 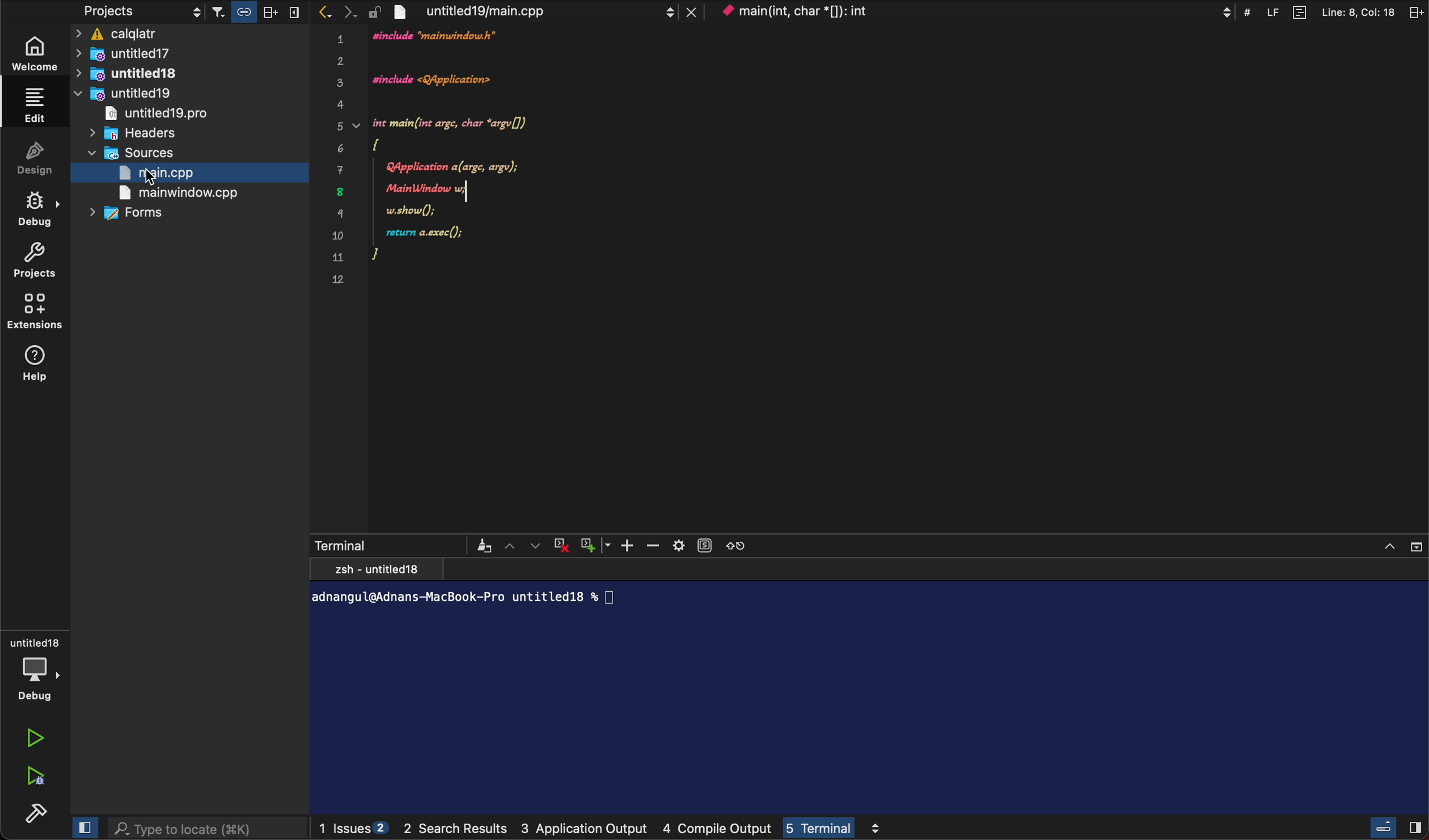 What do you see at coordinates (44, 162) in the screenshot?
I see `Design` at bounding box center [44, 162].